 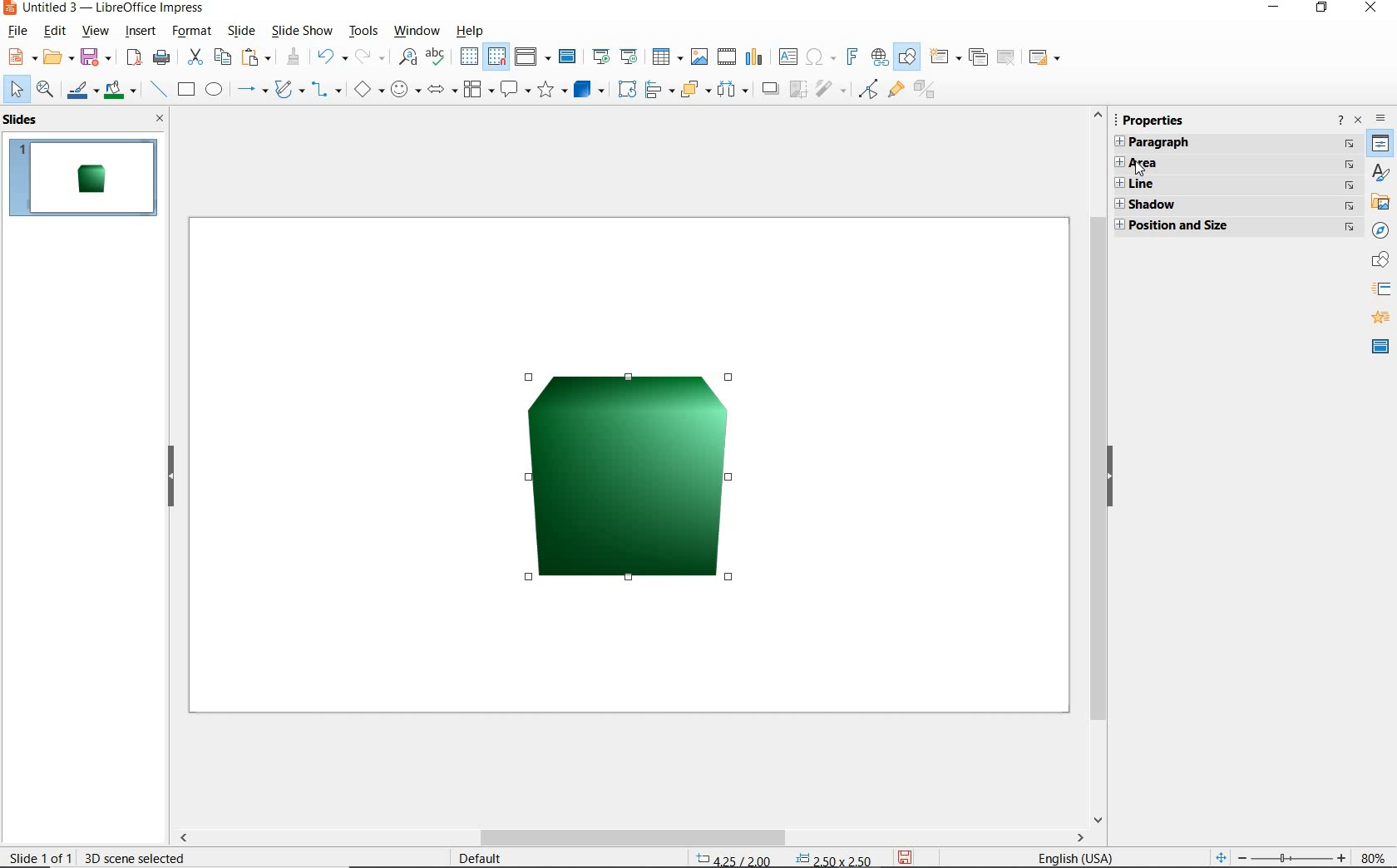 I want to click on slide show, so click(x=304, y=31).